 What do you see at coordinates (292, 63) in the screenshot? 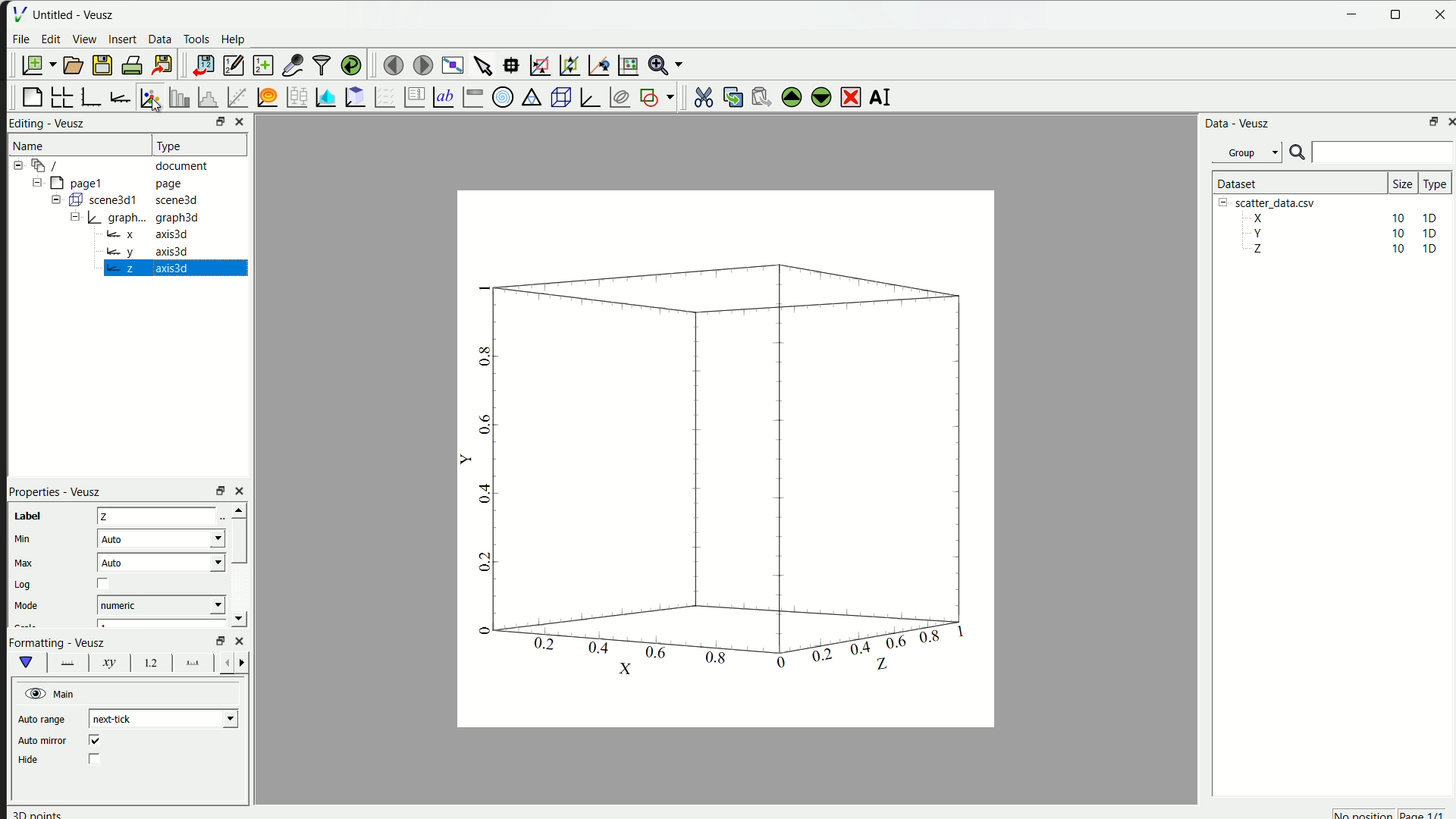
I see `capture a dataset` at bounding box center [292, 63].